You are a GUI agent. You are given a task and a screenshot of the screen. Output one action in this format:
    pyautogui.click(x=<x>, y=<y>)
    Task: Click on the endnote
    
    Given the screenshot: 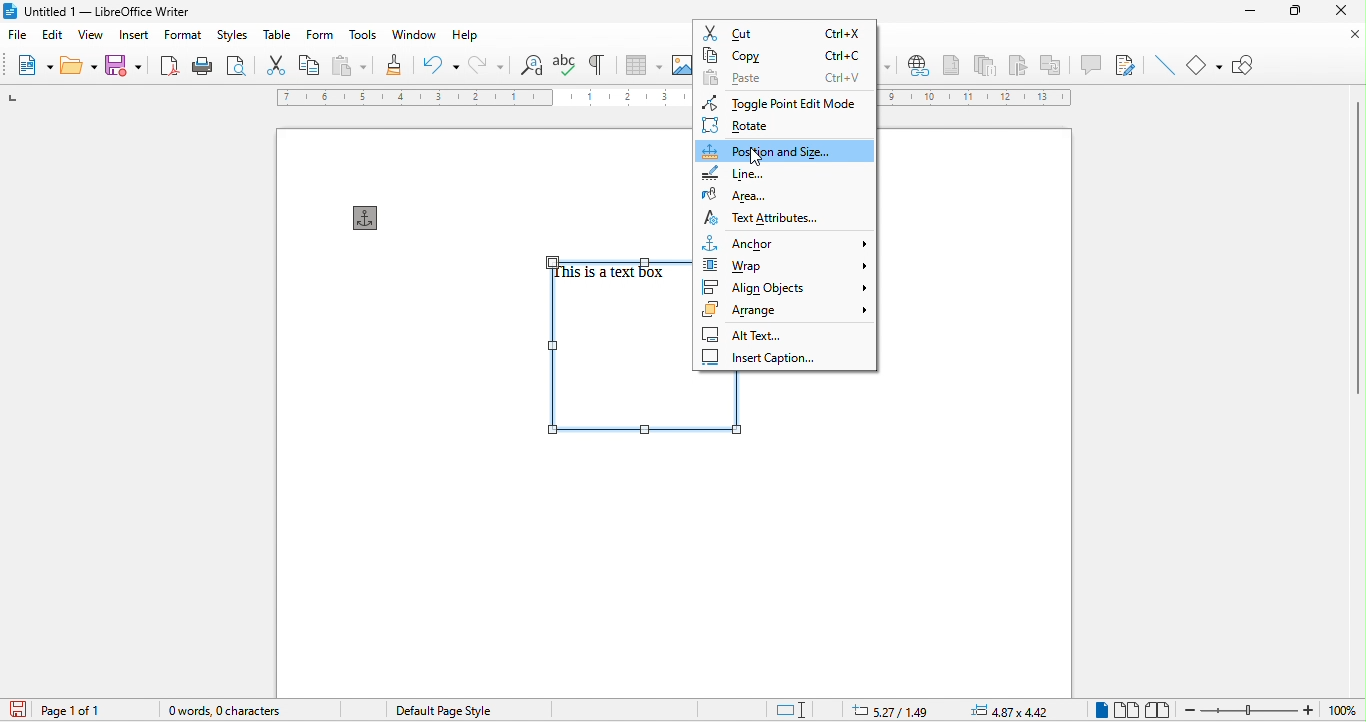 What is the action you would take?
    pyautogui.click(x=986, y=64)
    